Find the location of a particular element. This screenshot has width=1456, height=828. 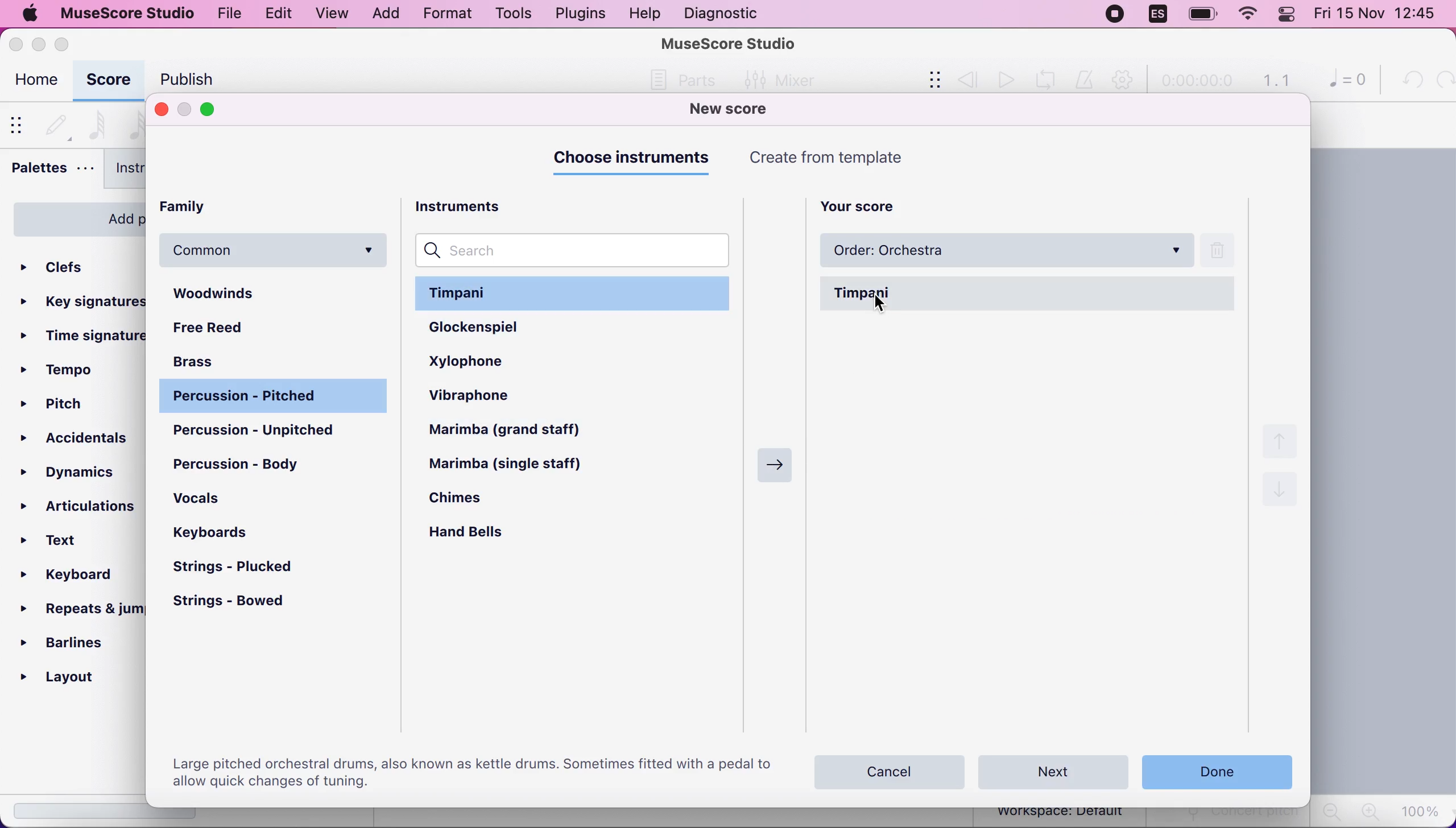

edit is located at coordinates (276, 12).